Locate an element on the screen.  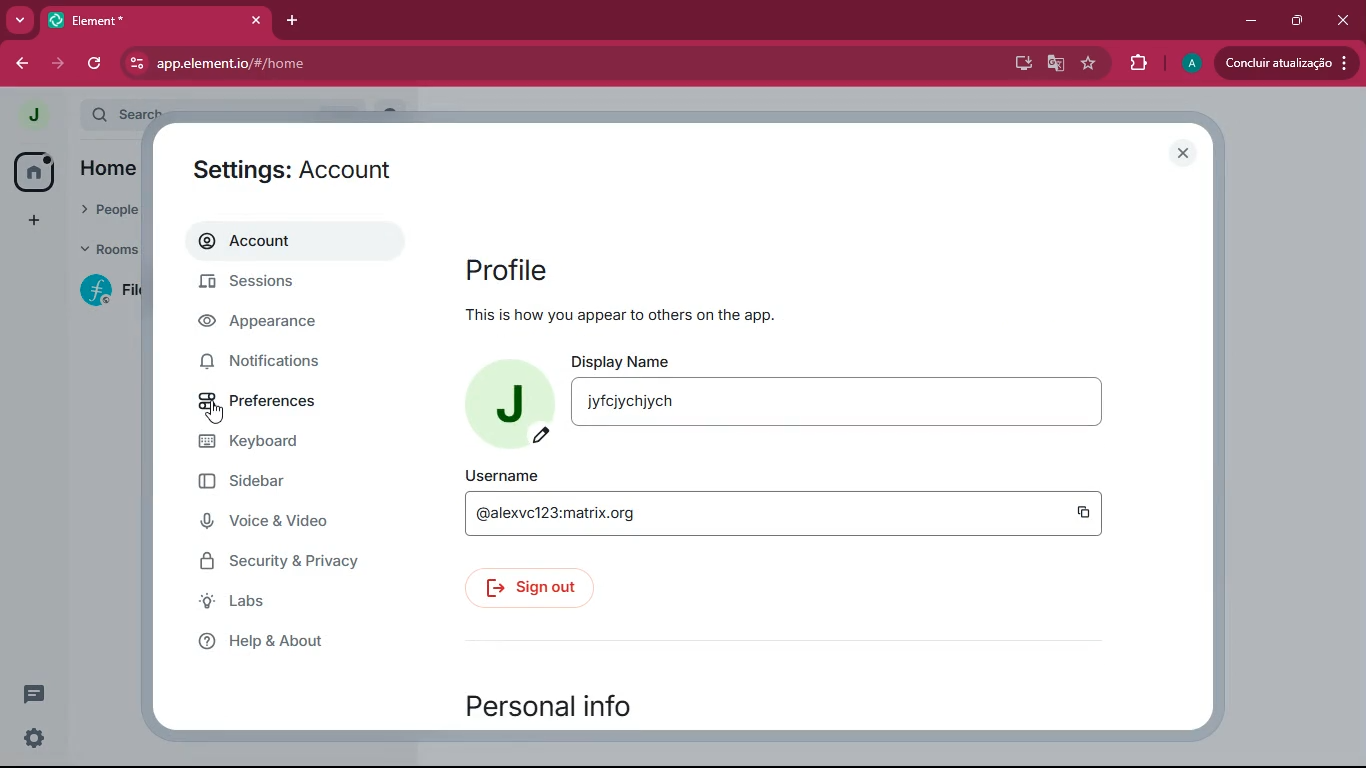
add tab is located at coordinates (292, 21).